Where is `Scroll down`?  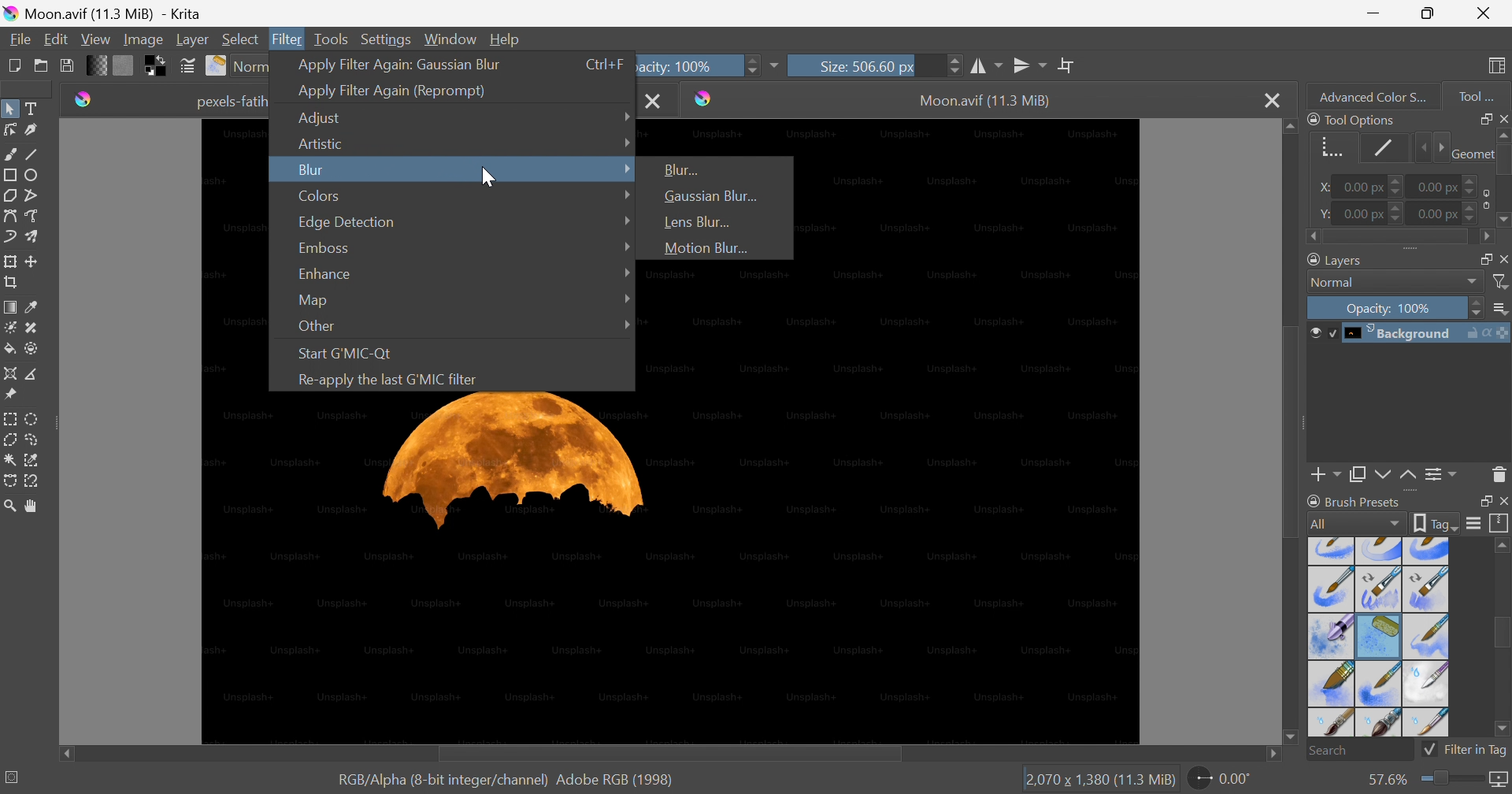
Scroll down is located at coordinates (1289, 740).